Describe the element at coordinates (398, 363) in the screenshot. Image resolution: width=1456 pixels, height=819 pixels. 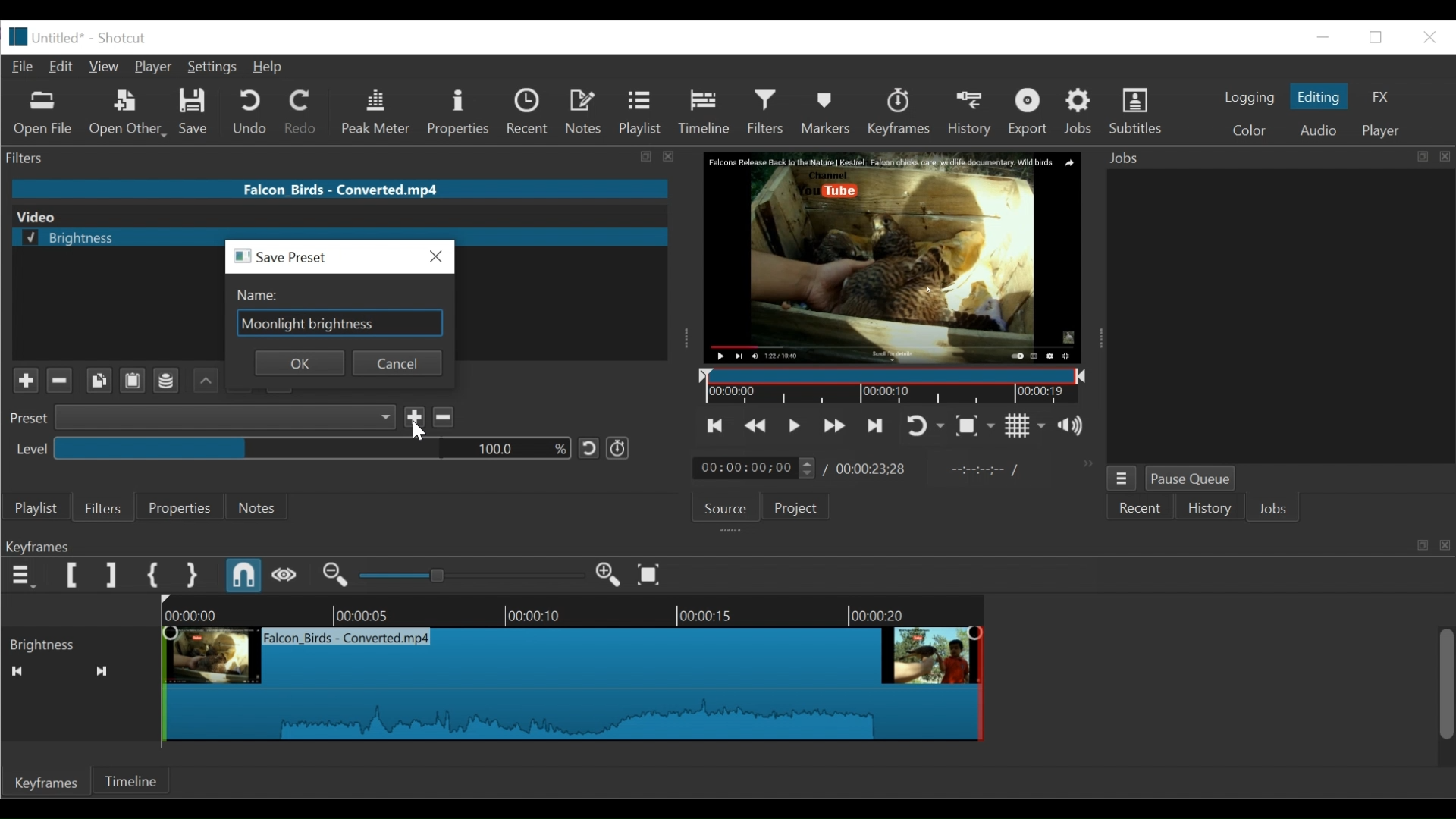
I see `cancel` at that location.